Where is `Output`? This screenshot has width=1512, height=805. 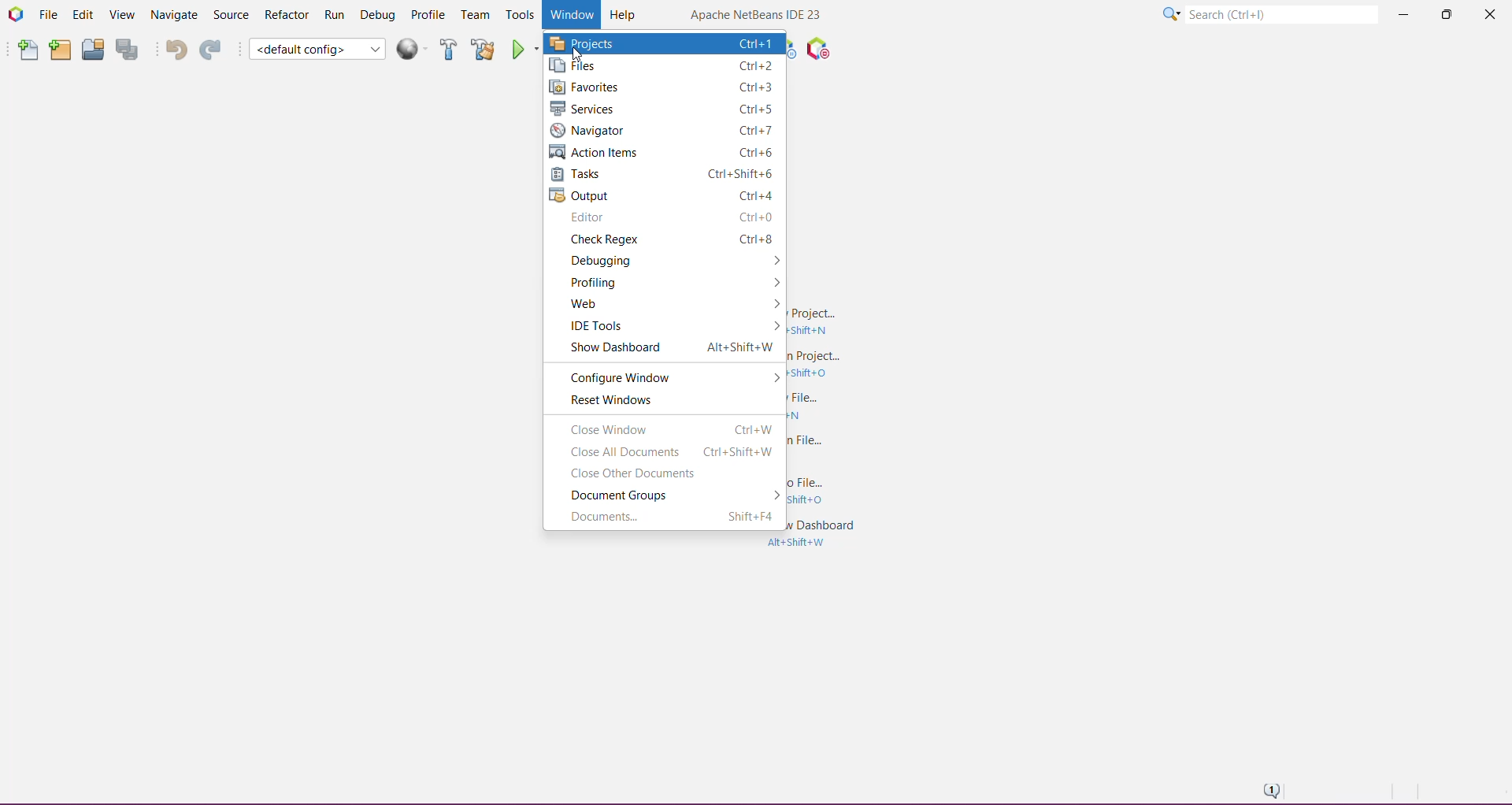
Output is located at coordinates (663, 195).